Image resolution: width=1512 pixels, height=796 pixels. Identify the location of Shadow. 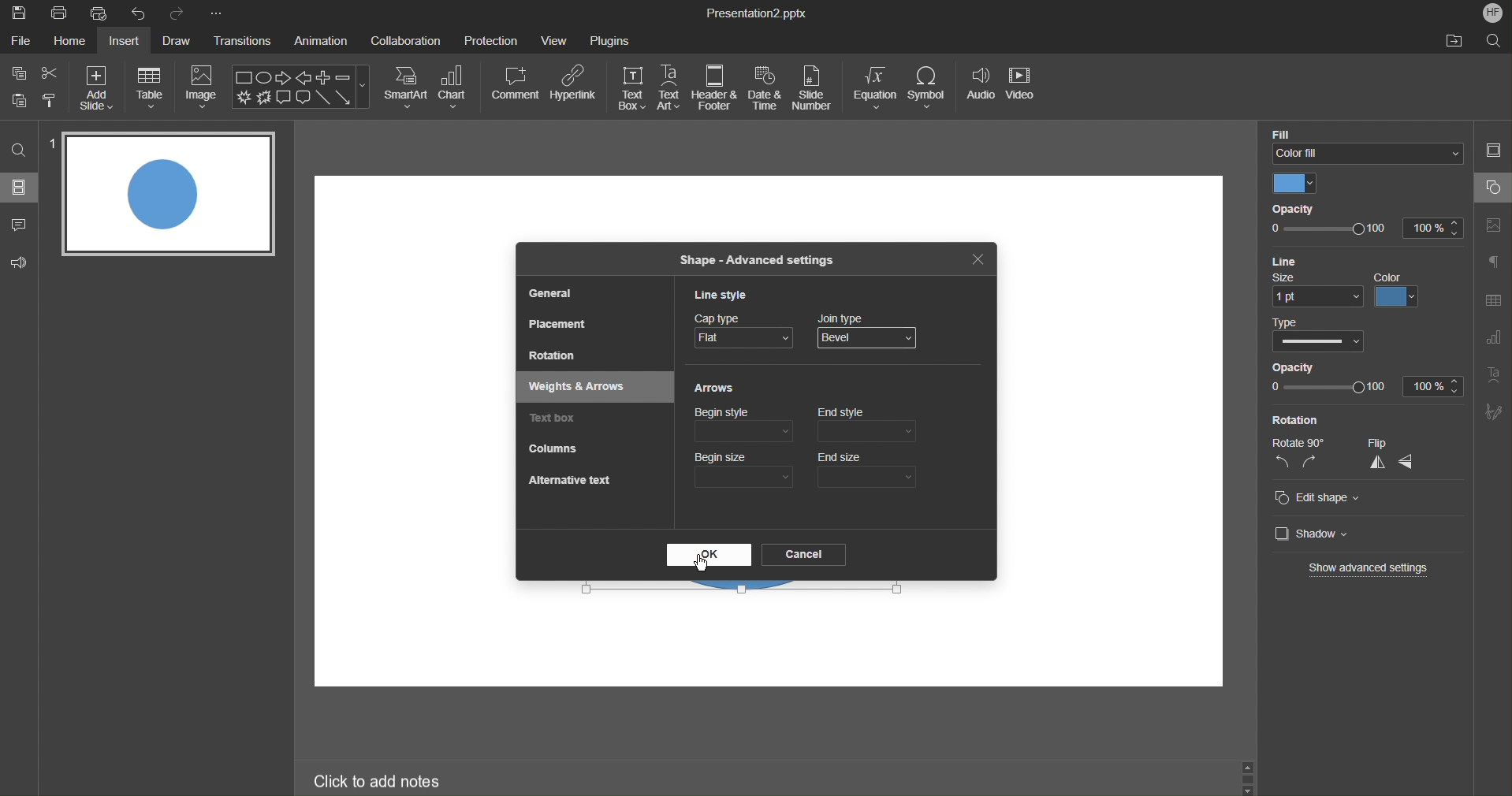
(1307, 534).